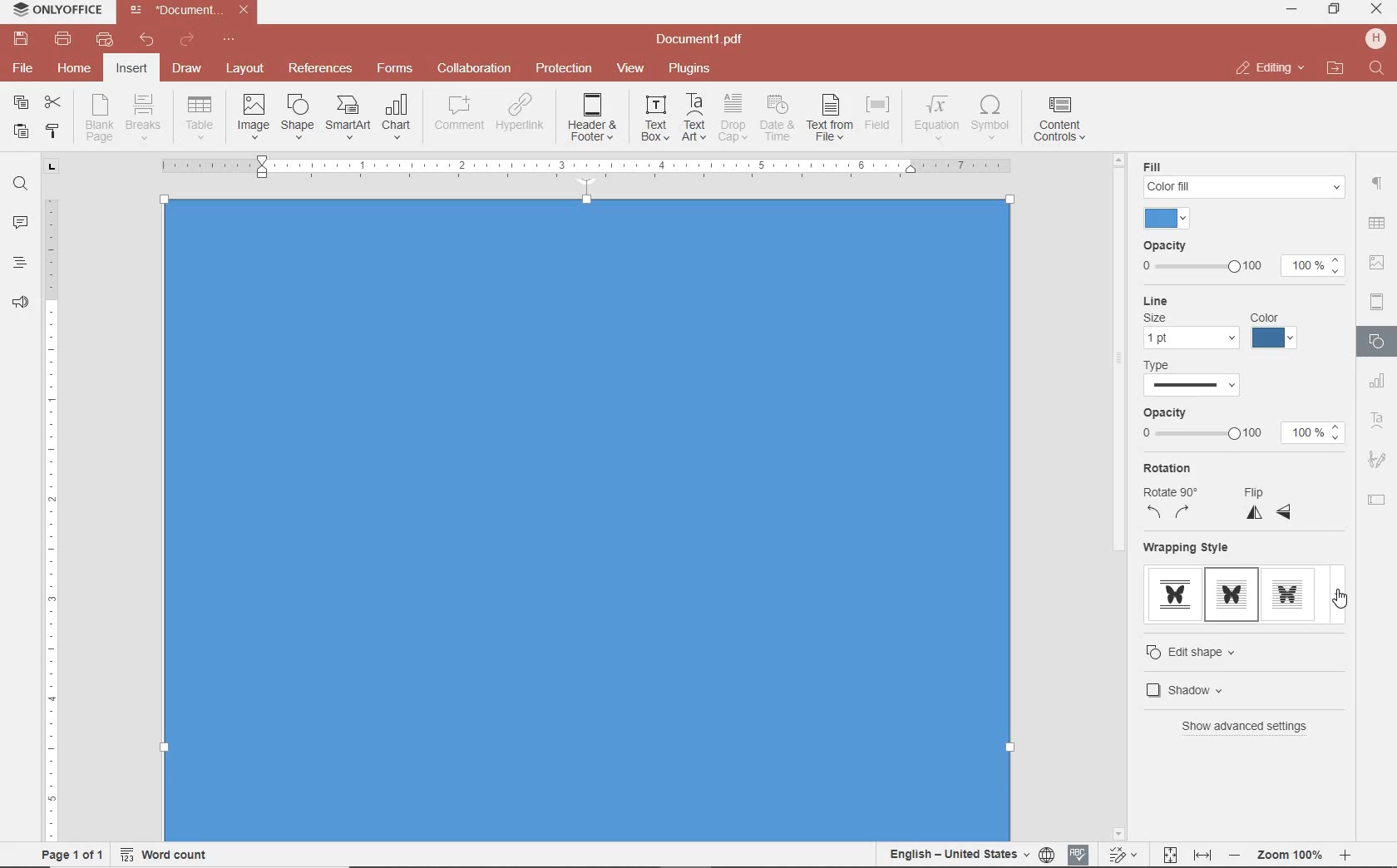  Describe the element at coordinates (654, 117) in the screenshot. I see `INSERT TEXT BOX` at that location.